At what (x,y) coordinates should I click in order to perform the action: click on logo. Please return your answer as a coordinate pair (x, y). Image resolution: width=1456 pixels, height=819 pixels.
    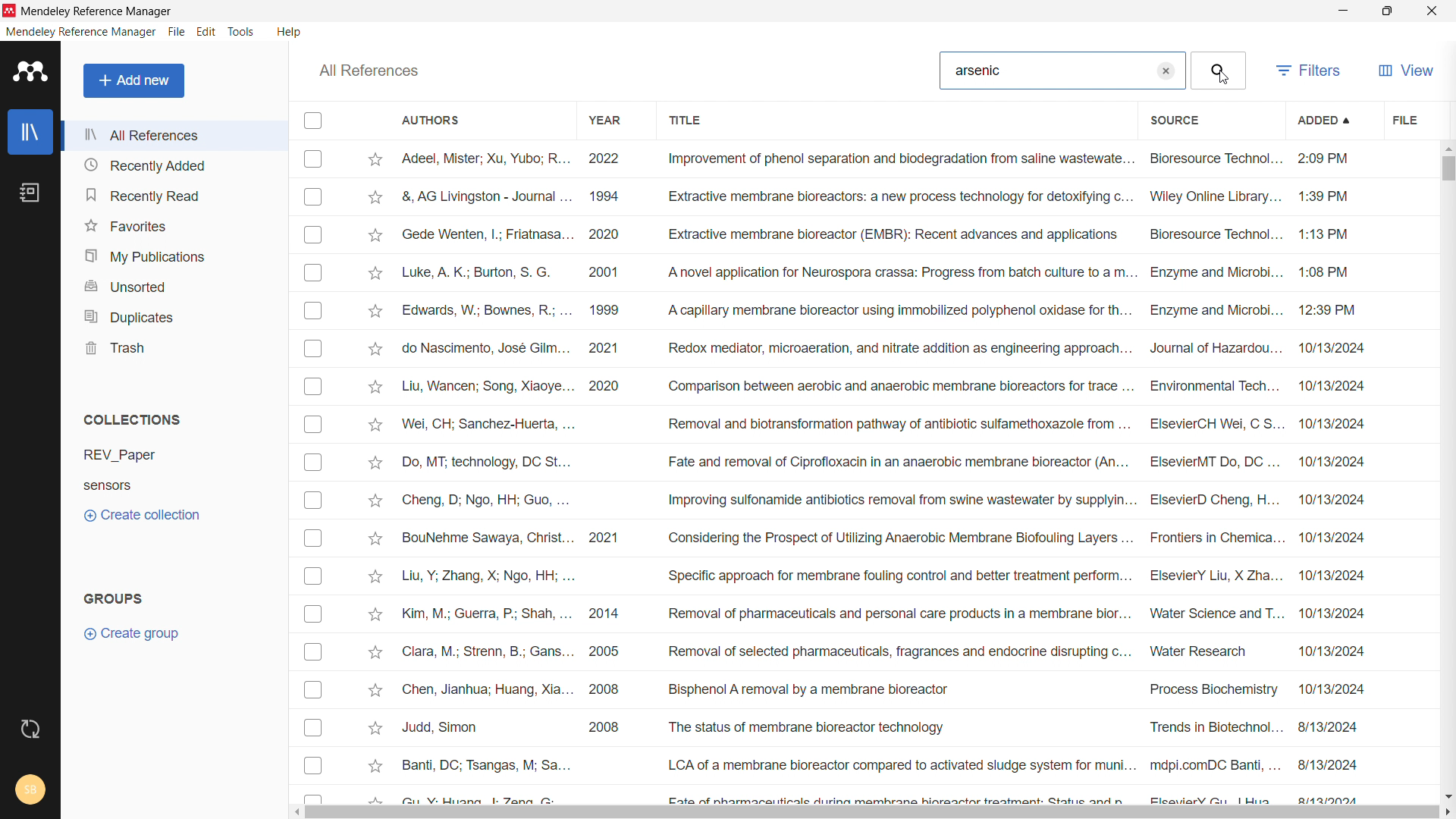
    Looking at the image, I should click on (31, 71).